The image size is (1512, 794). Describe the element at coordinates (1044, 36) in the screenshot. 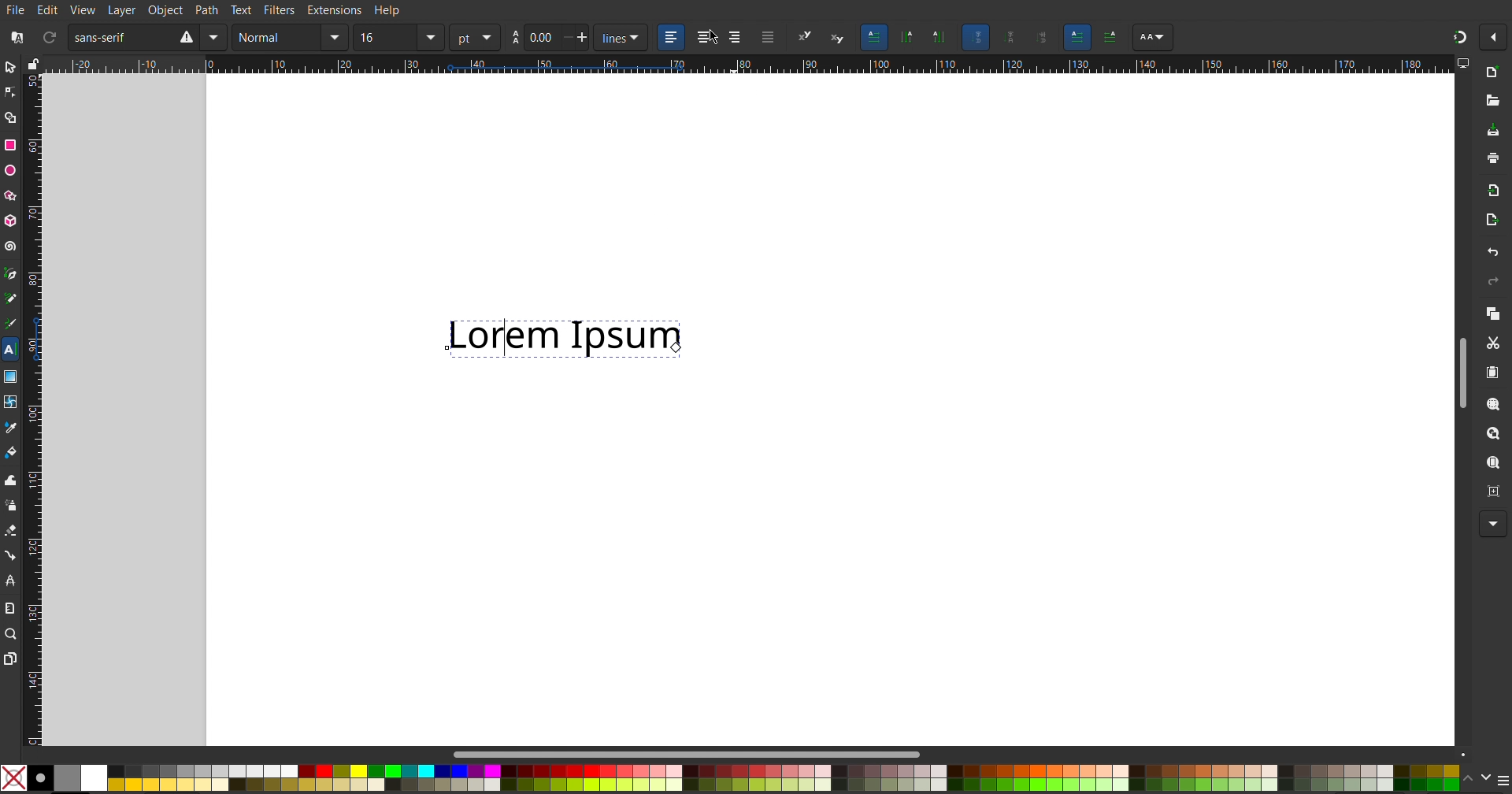

I see `Sideways glyph orientation` at that location.